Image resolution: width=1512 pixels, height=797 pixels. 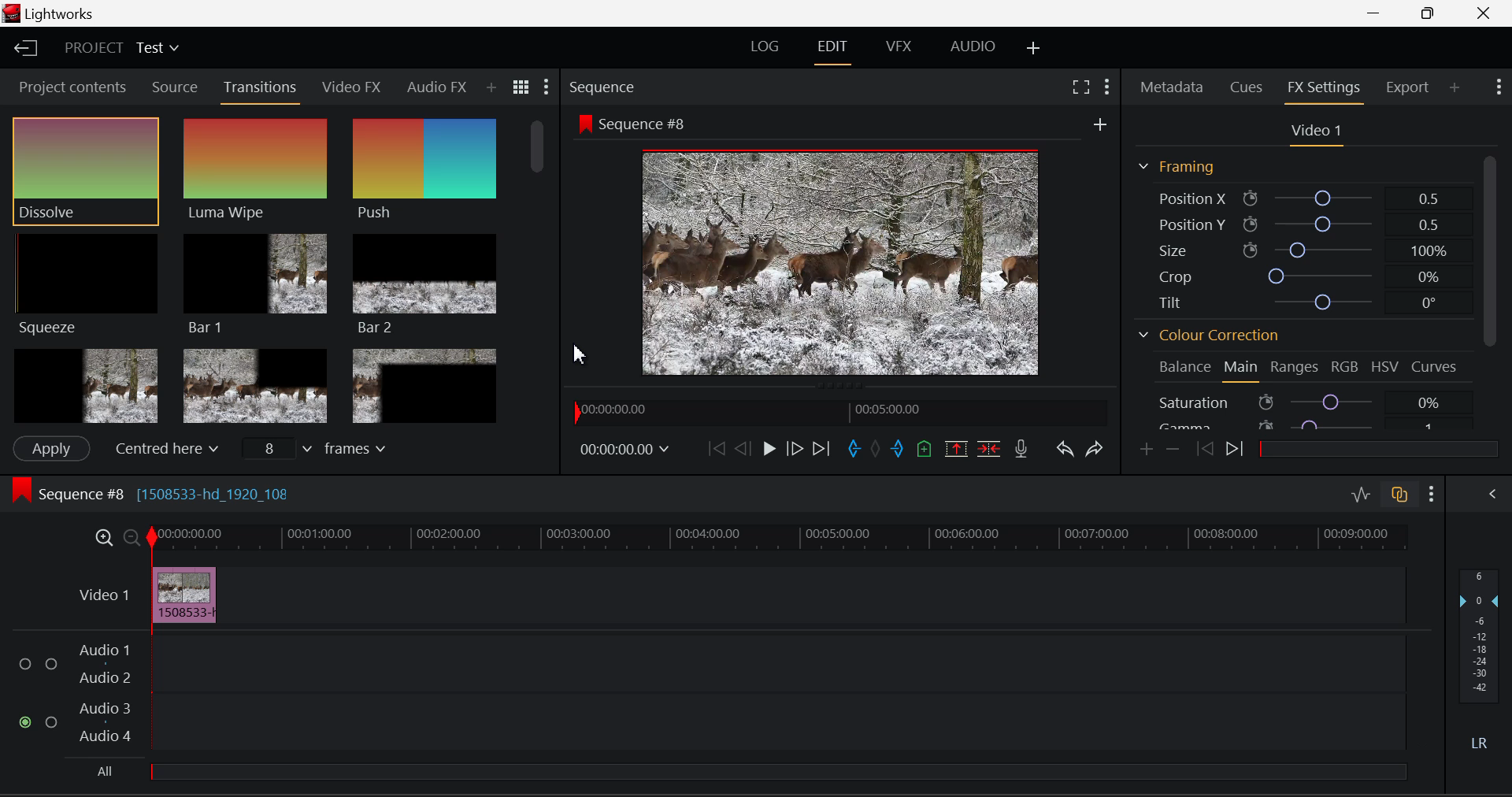 I want to click on Add Panel, so click(x=492, y=89).